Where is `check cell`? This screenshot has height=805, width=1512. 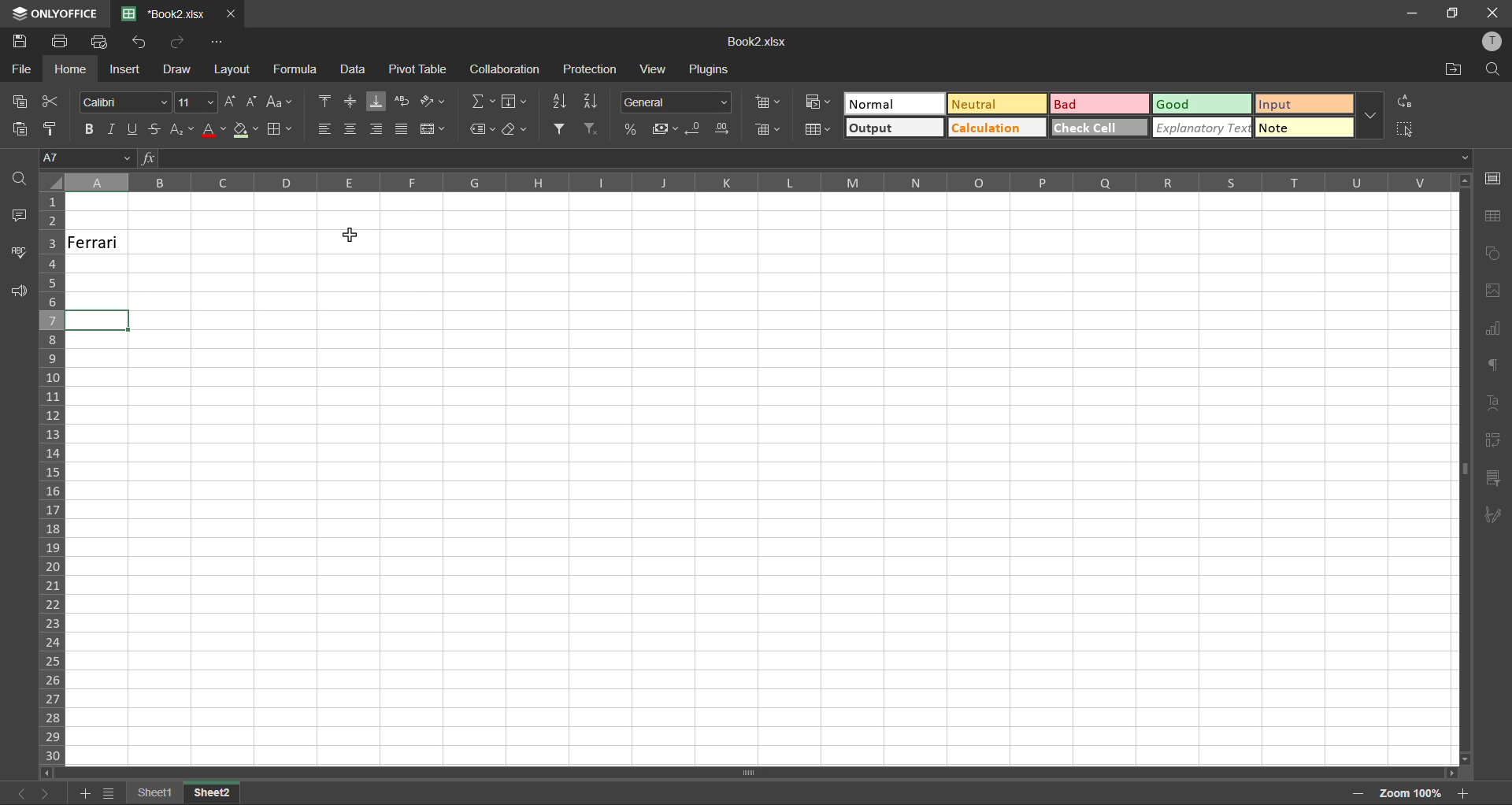
check cell is located at coordinates (1098, 129).